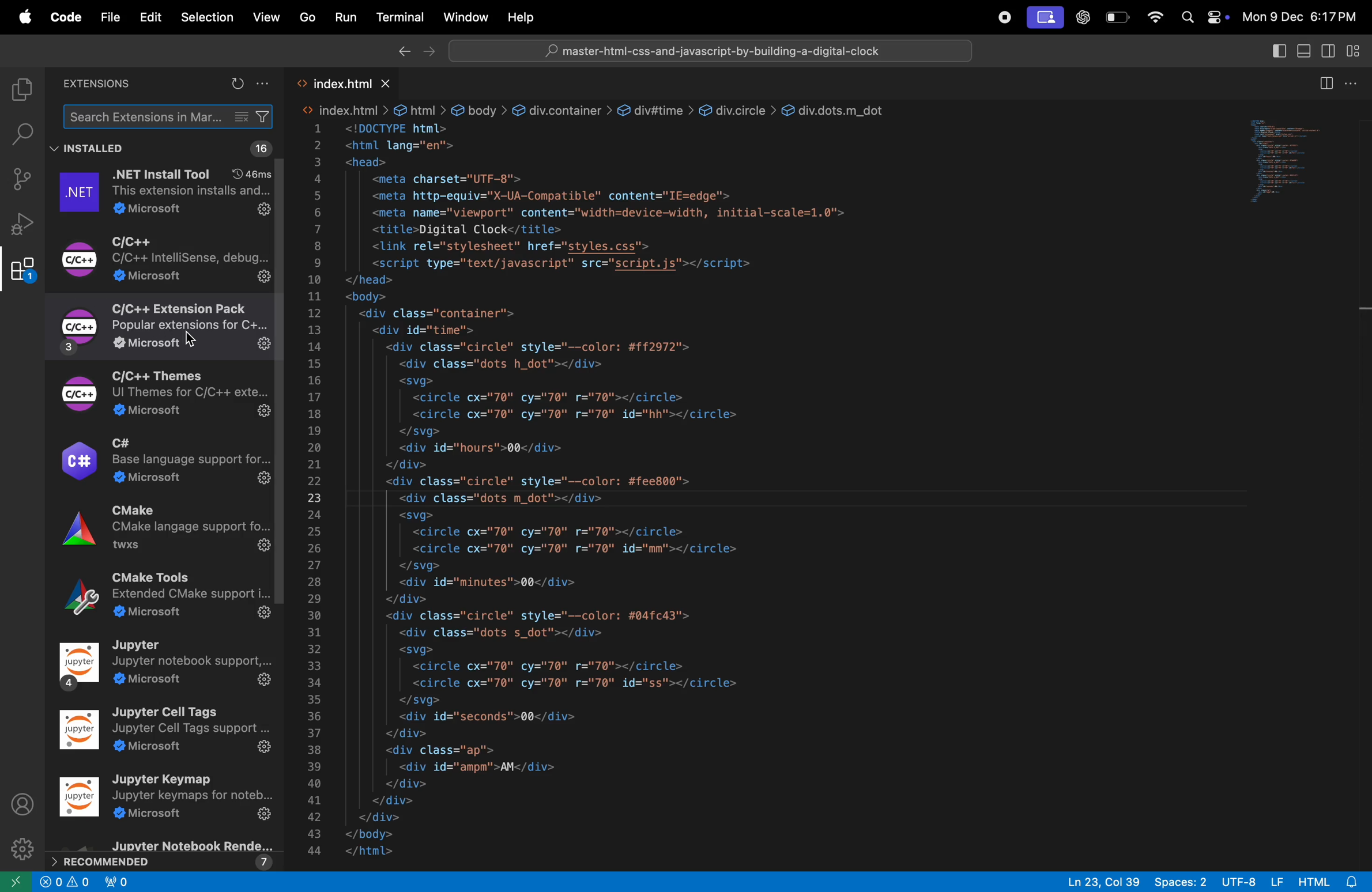 The height and width of the screenshot is (892, 1372). What do you see at coordinates (1153, 18) in the screenshot?
I see `wifi` at bounding box center [1153, 18].